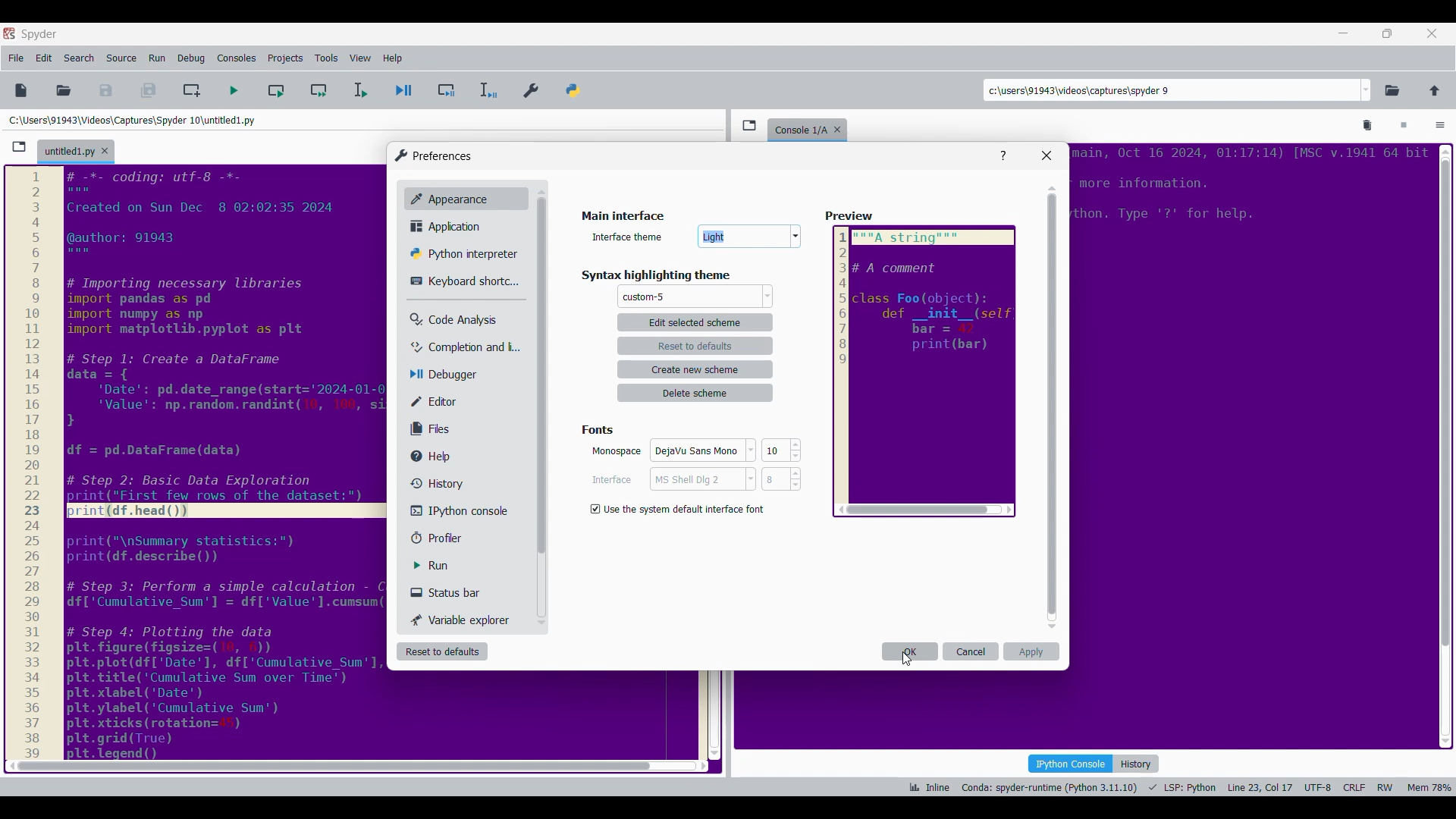 The width and height of the screenshot is (1456, 819). Describe the element at coordinates (1368, 126) in the screenshot. I see `Remove all variables from namespace` at that location.